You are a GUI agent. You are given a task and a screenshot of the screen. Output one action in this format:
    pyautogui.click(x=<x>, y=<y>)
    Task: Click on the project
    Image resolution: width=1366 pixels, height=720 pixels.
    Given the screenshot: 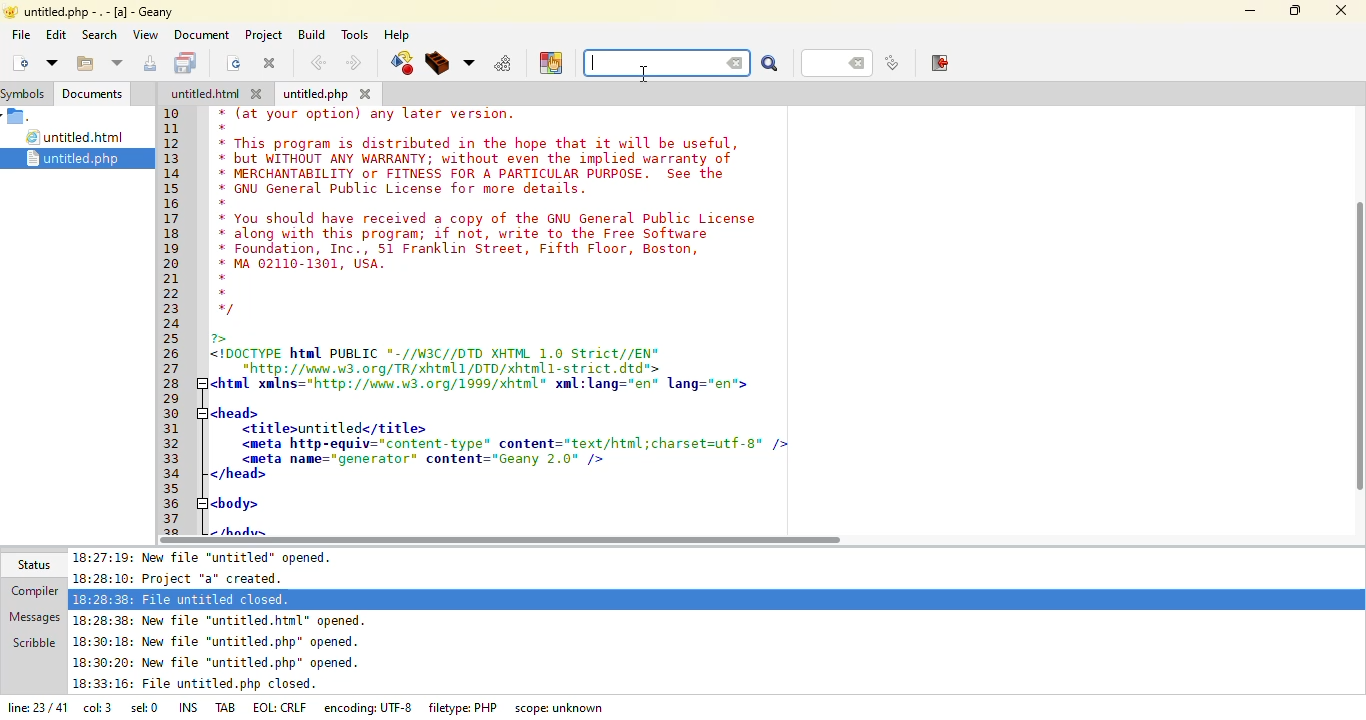 What is the action you would take?
    pyautogui.click(x=261, y=34)
    